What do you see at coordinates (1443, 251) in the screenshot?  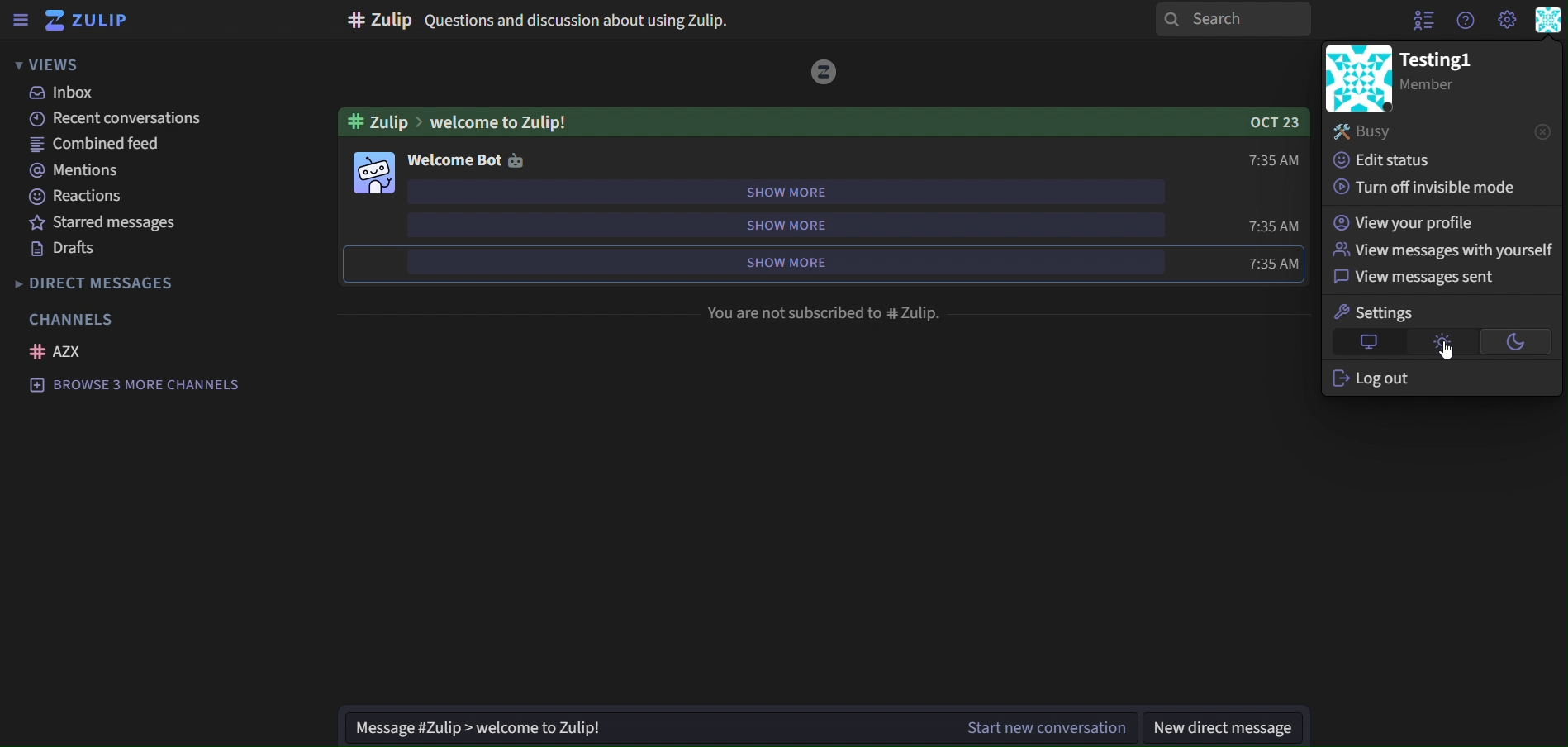 I see `view messages with yourself` at bounding box center [1443, 251].